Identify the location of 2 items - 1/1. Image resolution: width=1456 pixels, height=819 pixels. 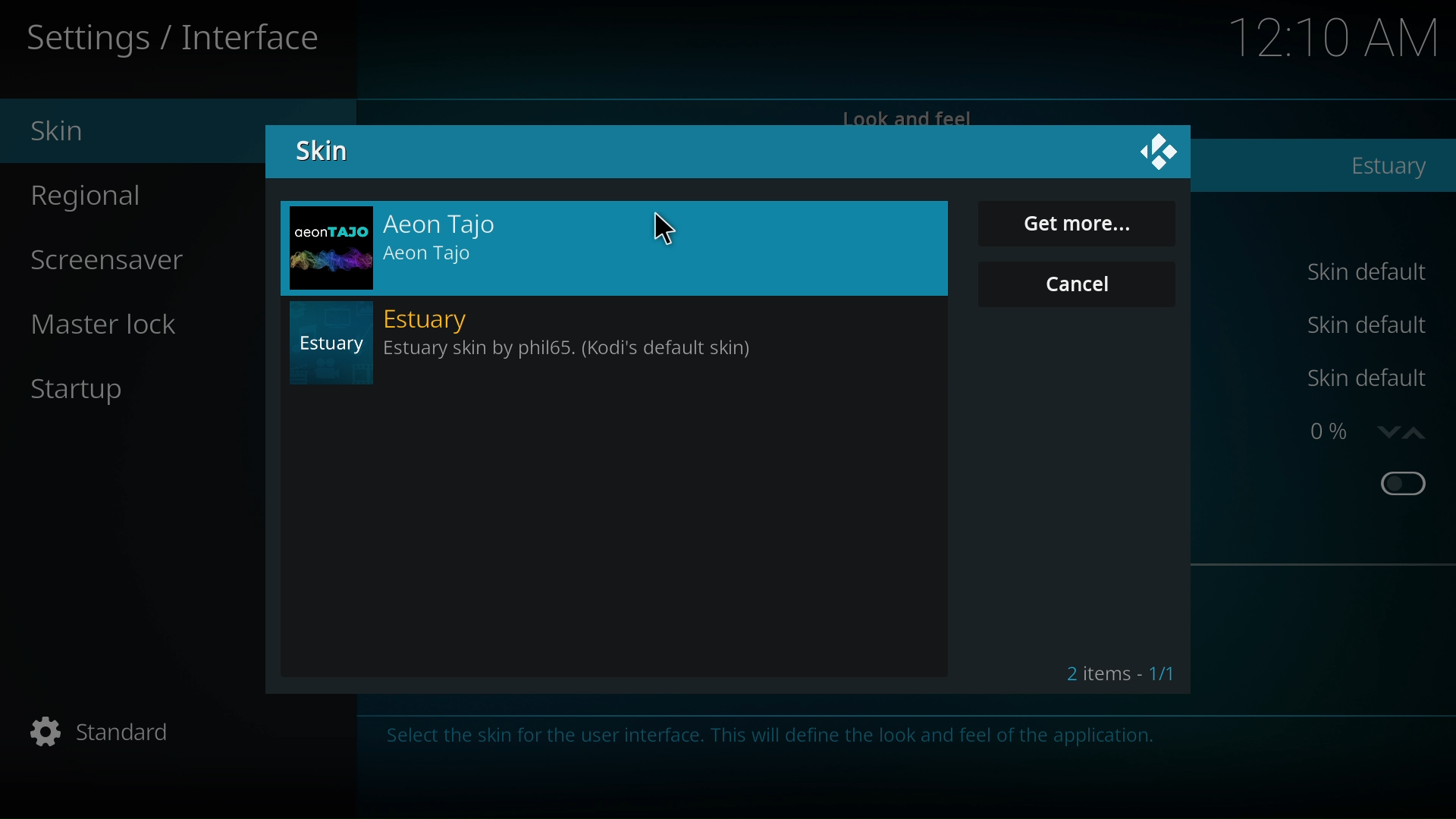
(1119, 674).